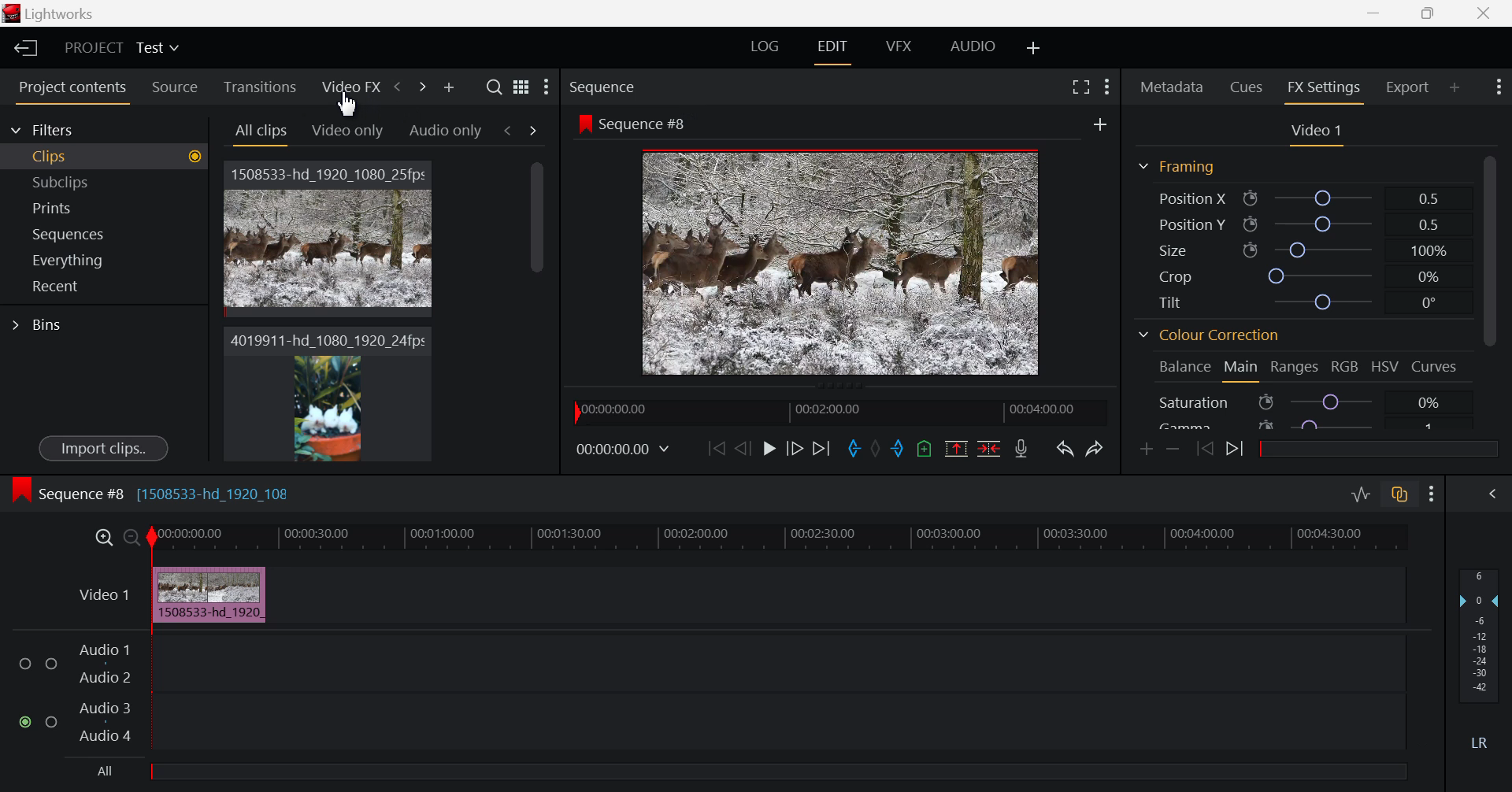 The height and width of the screenshot is (792, 1512). Describe the element at coordinates (877, 448) in the screenshot. I see `Remove all marks` at that location.